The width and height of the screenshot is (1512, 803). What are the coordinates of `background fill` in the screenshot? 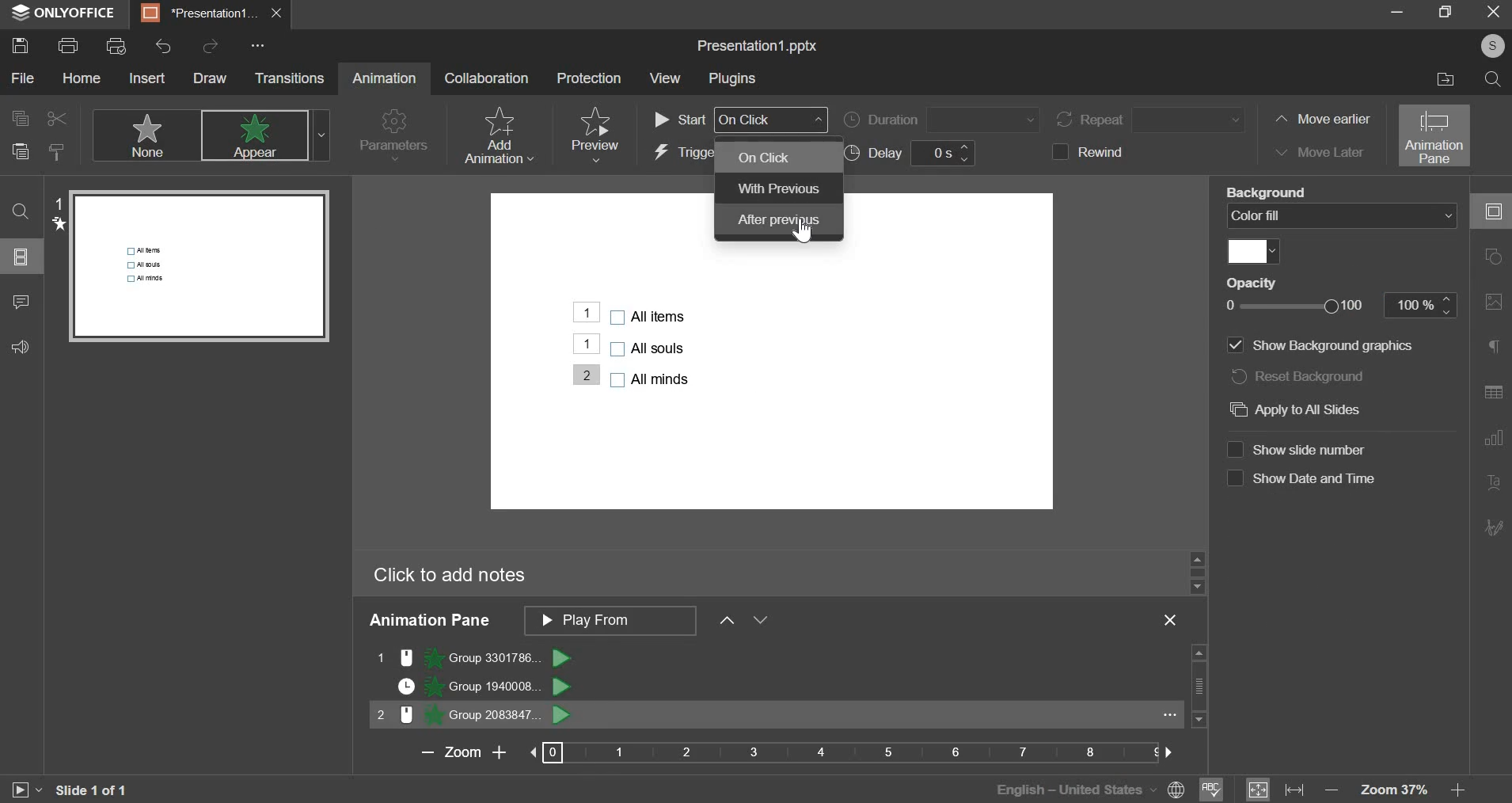 It's located at (1344, 215).